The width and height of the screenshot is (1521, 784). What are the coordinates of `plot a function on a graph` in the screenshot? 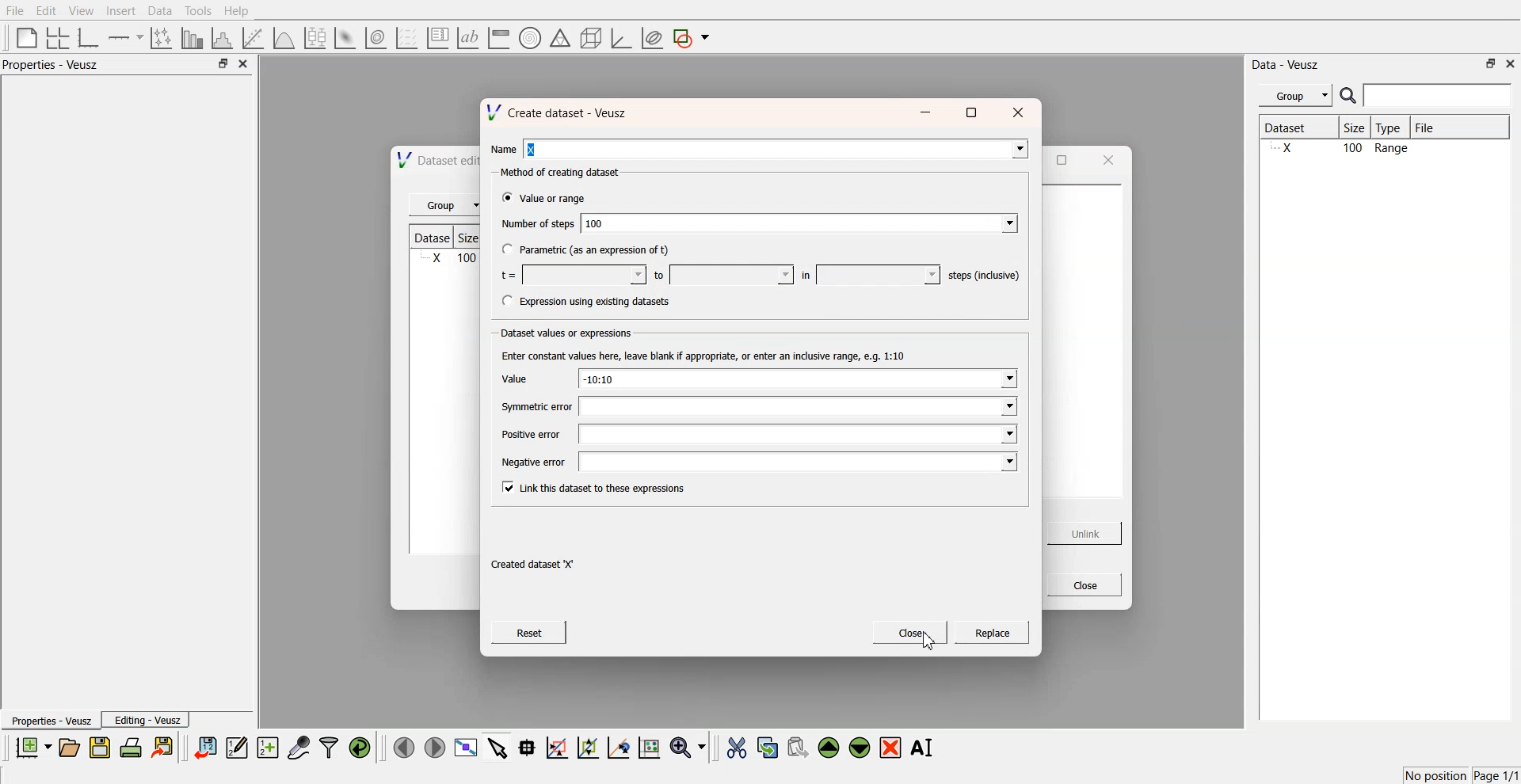 It's located at (284, 36).